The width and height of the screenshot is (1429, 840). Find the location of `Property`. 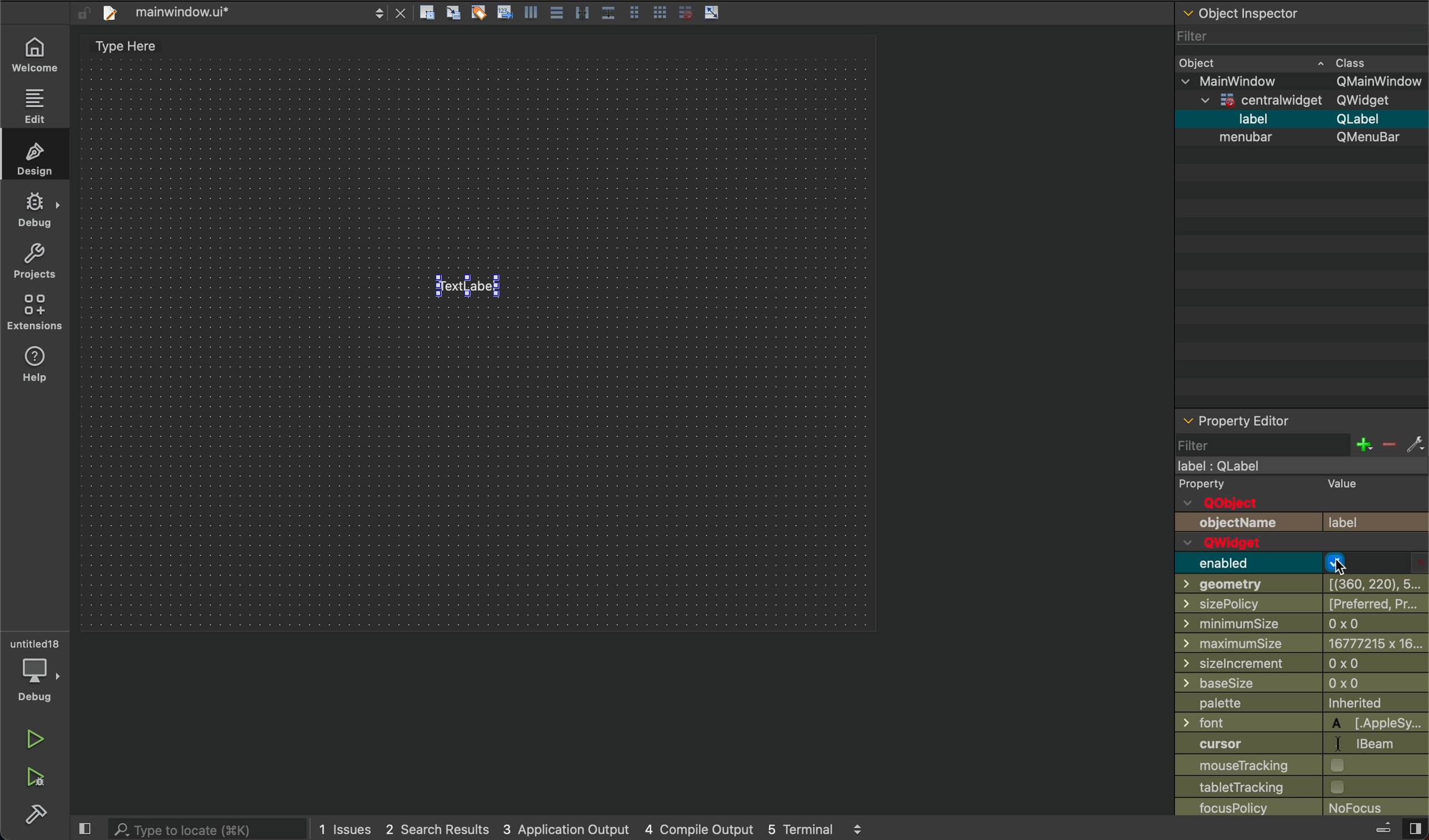

Property is located at coordinates (1217, 482).